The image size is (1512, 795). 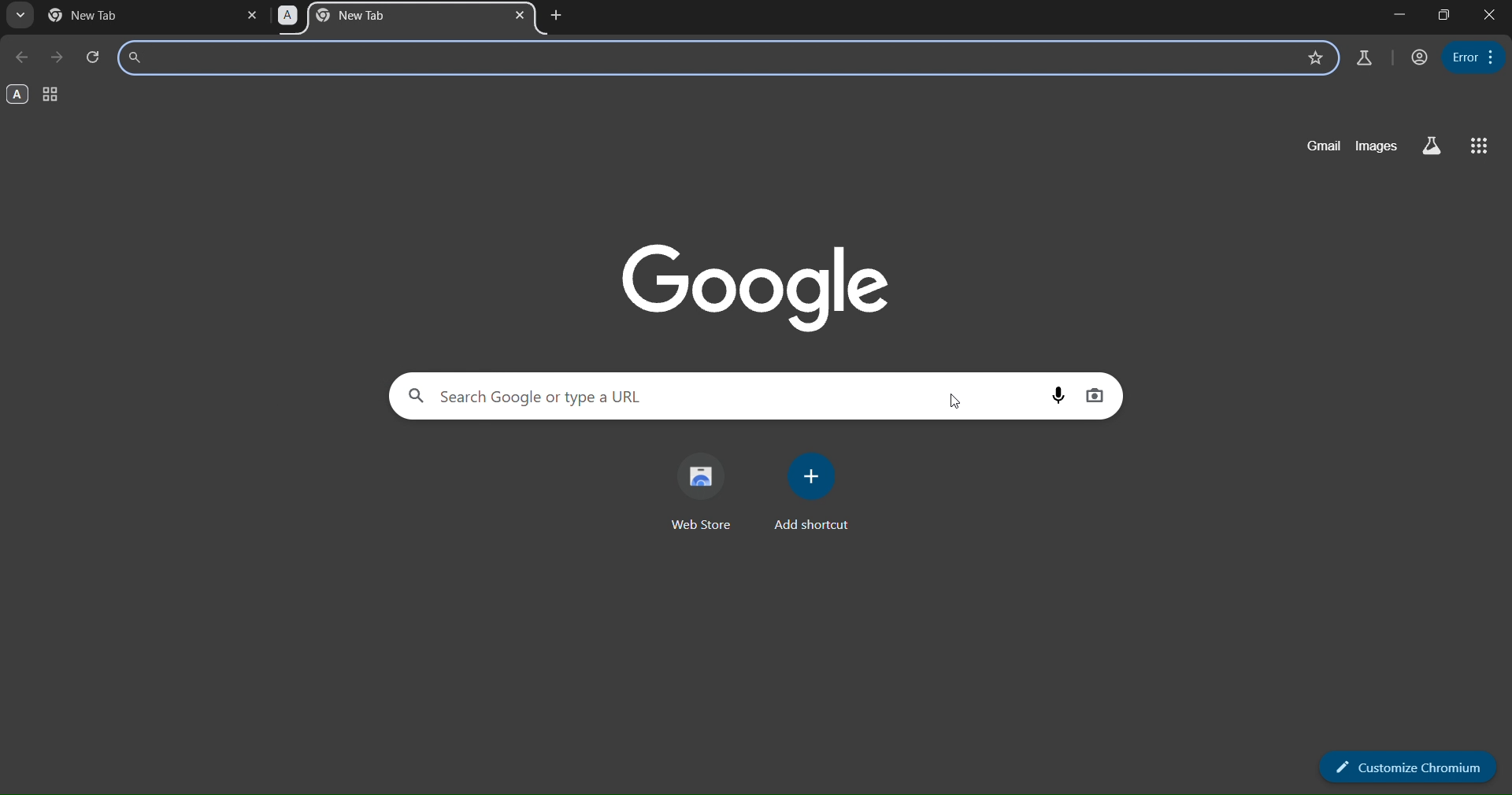 What do you see at coordinates (277, 58) in the screenshot?
I see `search bar` at bounding box center [277, 58].